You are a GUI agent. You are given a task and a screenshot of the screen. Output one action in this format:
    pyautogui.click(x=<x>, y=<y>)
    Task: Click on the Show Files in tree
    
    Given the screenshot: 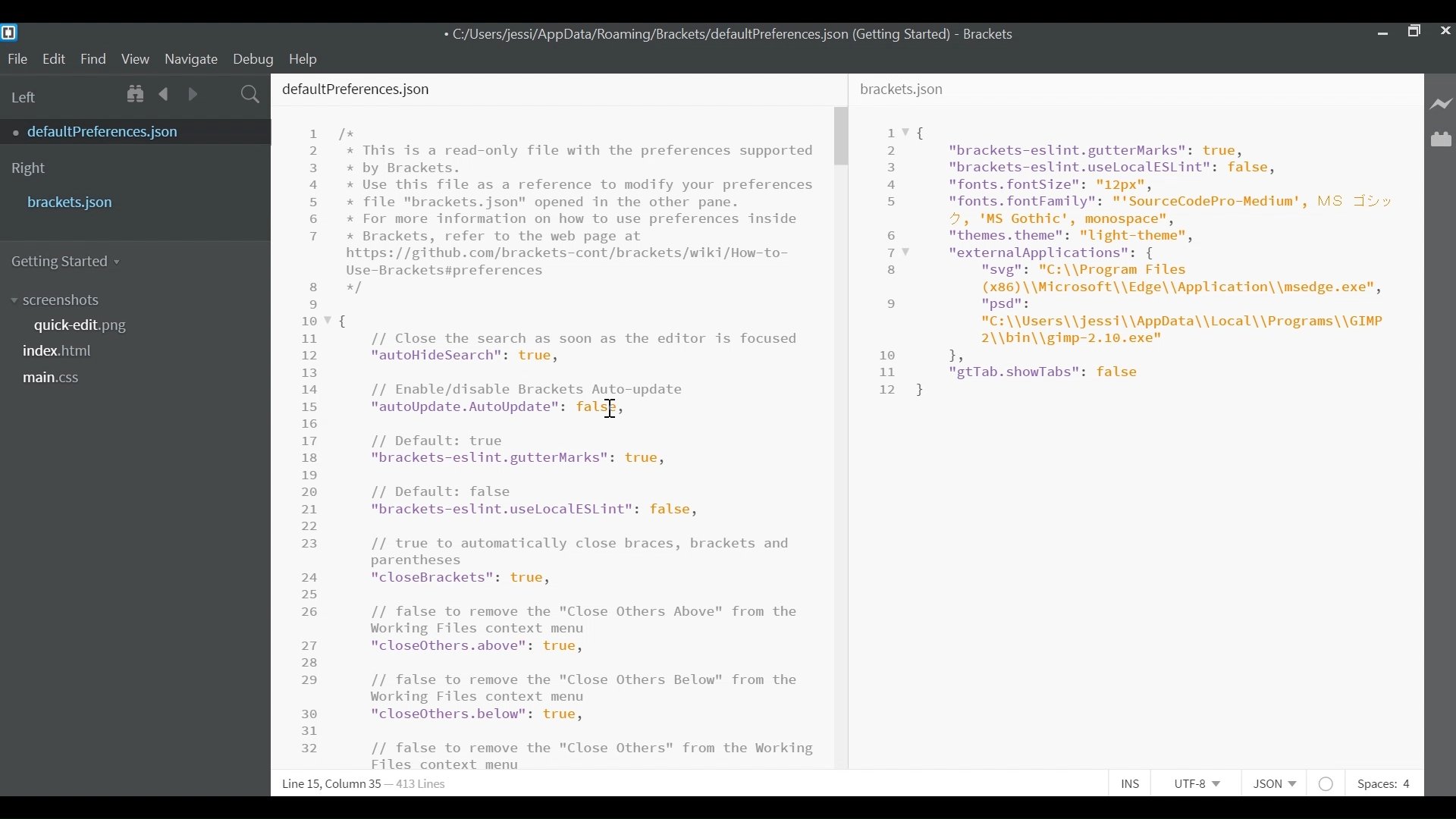 What is the action you would take?
    pyautogui.click(x=137, y=93)
    